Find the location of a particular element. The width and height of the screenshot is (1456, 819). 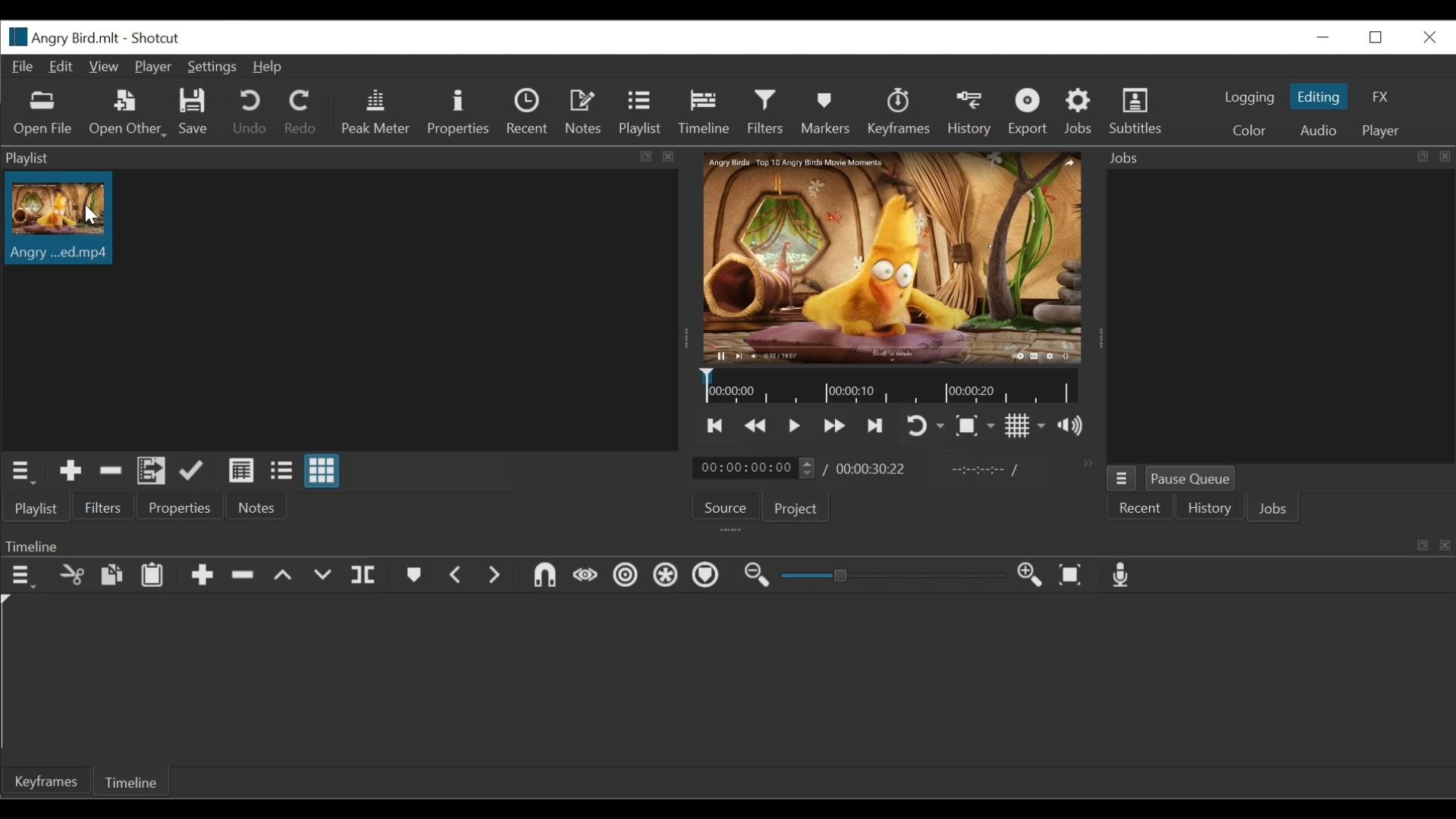

Rippe is located at coordinates (625, 577).